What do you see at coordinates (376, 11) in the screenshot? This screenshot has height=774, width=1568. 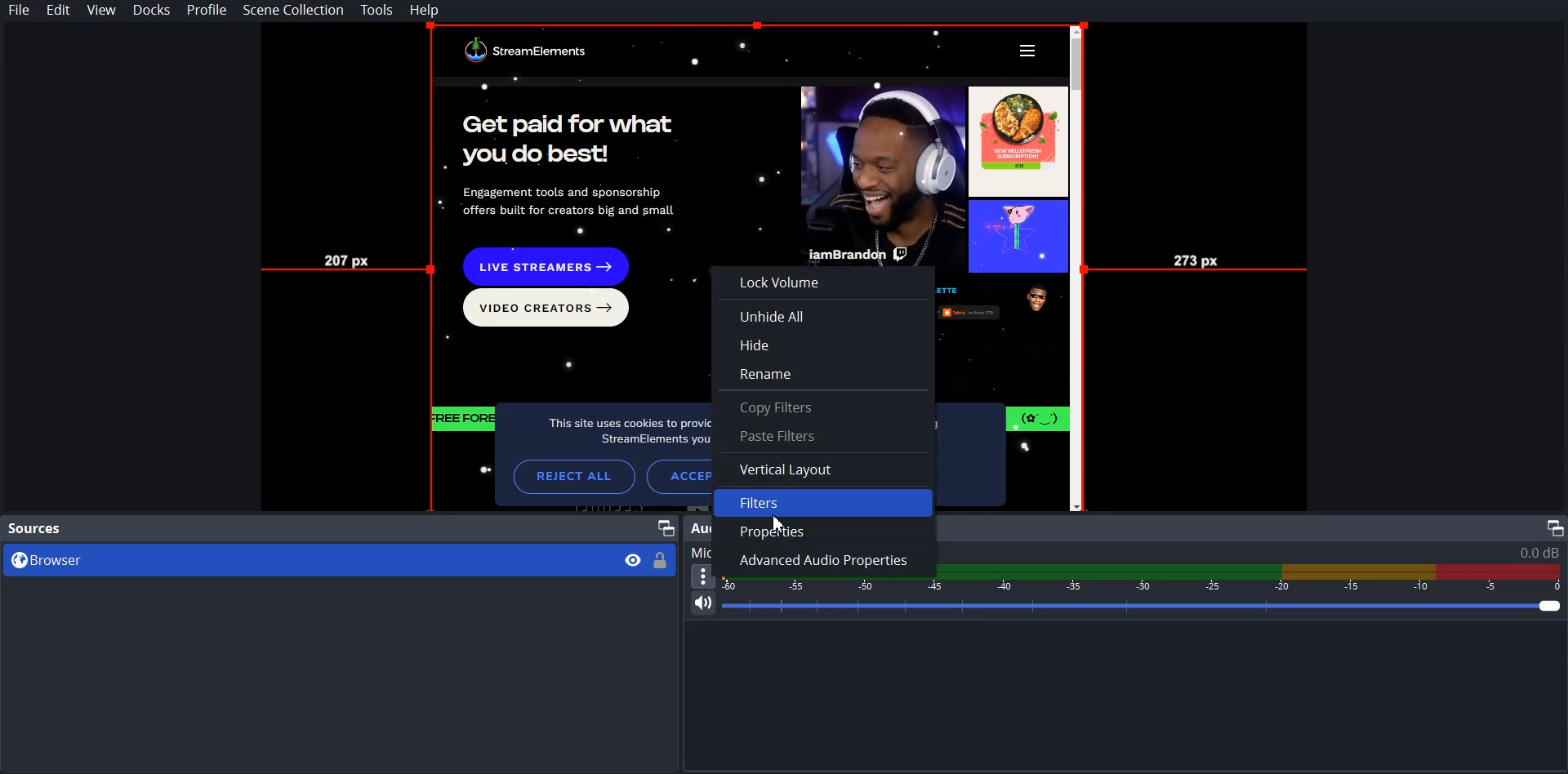 I see `Tools` at bounding box center [376, 11].